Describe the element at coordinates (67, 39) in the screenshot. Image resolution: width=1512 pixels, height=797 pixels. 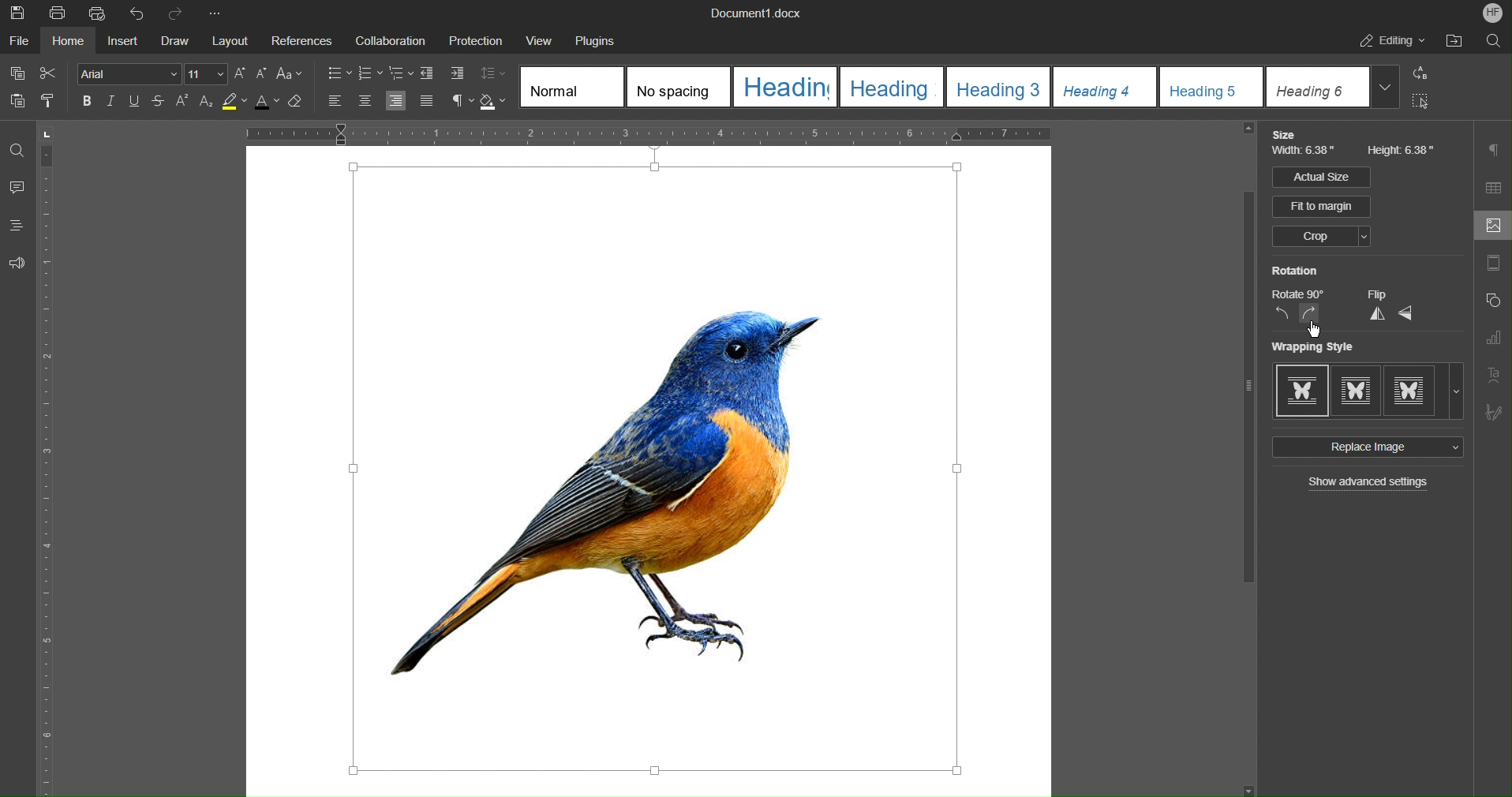
I see `Home` at that location.